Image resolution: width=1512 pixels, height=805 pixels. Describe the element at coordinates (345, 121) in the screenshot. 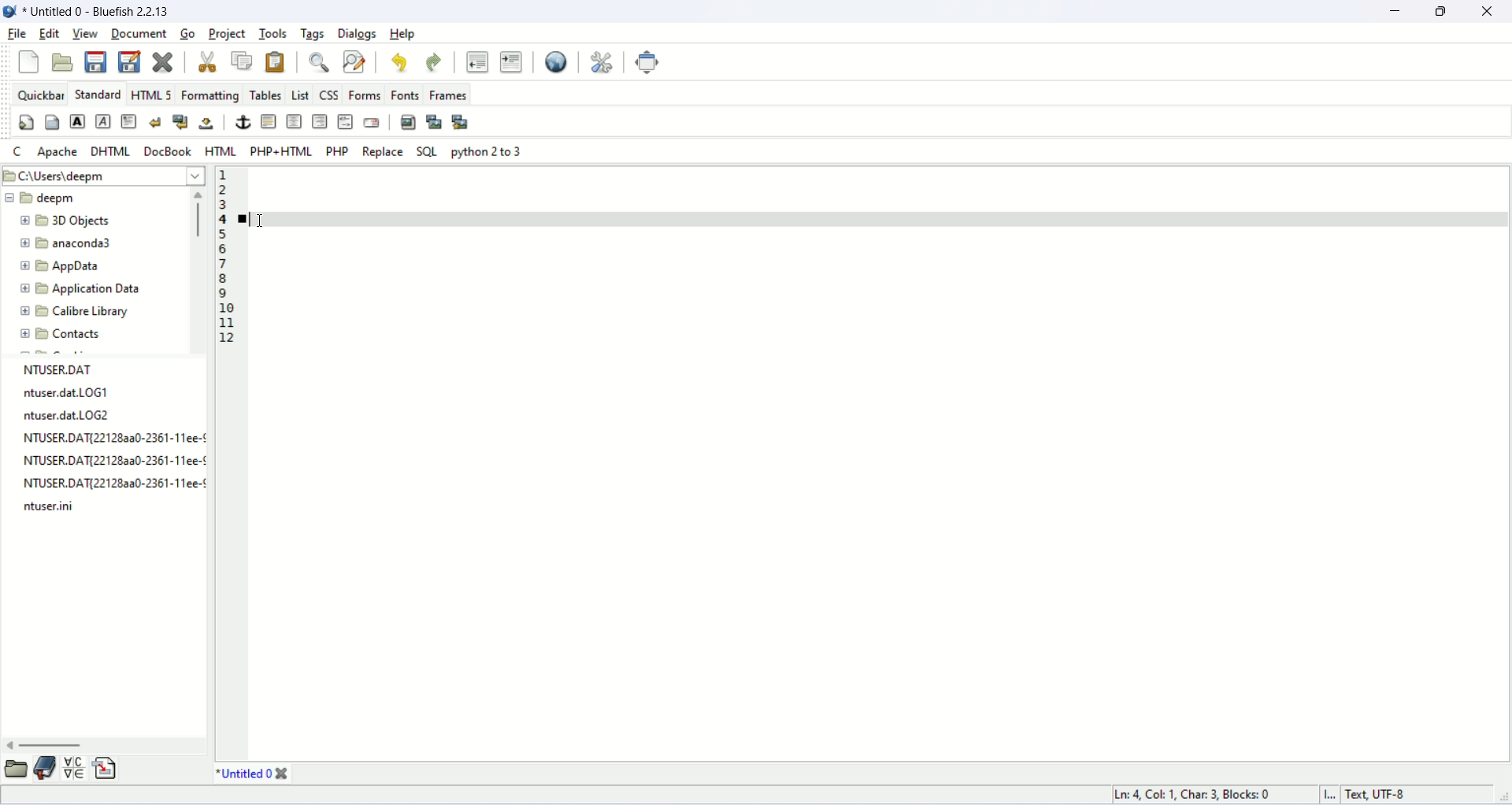

I see `HTML COMMENT` at that location.